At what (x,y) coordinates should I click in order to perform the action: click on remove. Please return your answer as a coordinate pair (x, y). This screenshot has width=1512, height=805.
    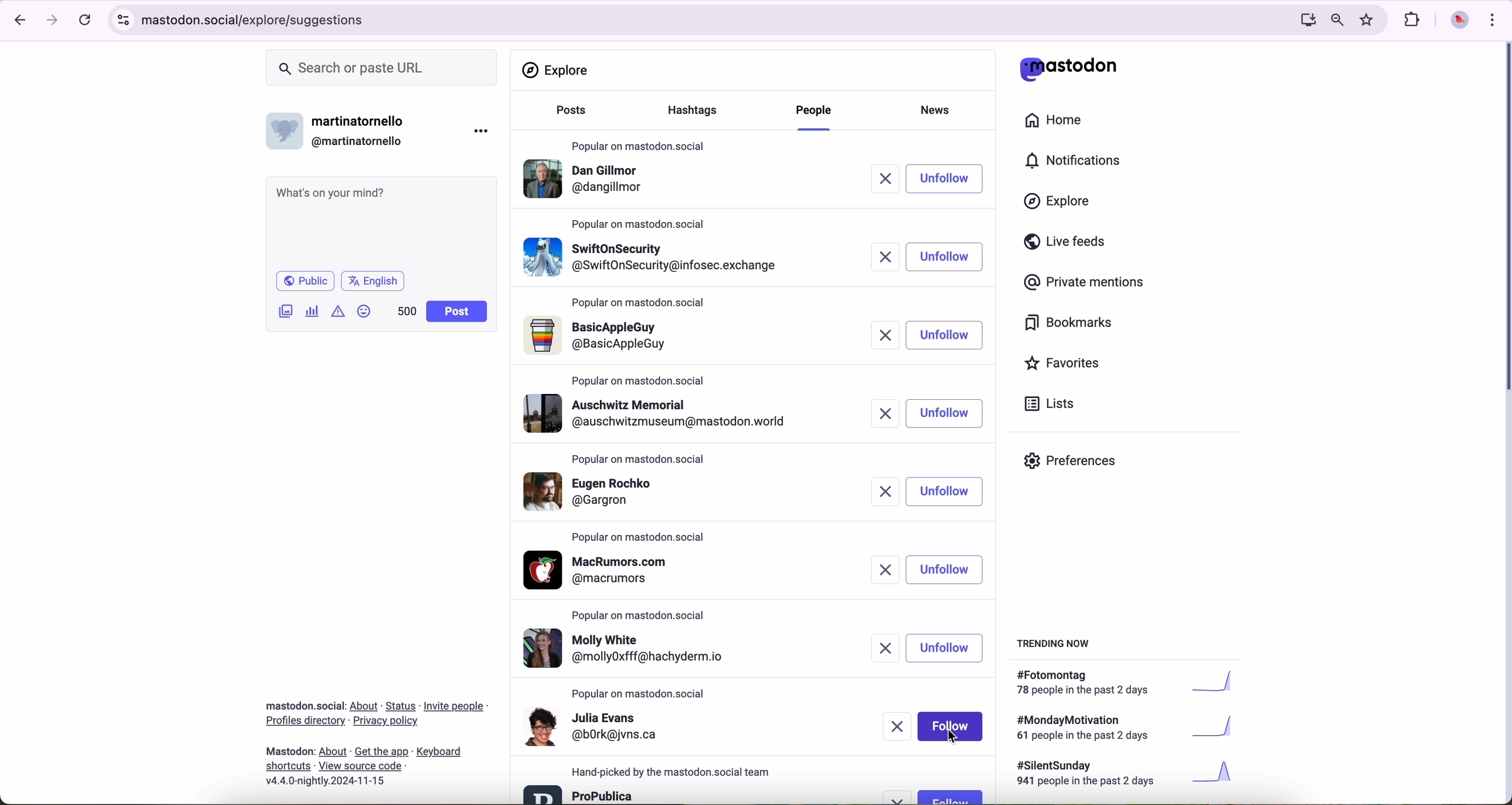
    Looking at the image, I should click on (899, 726).